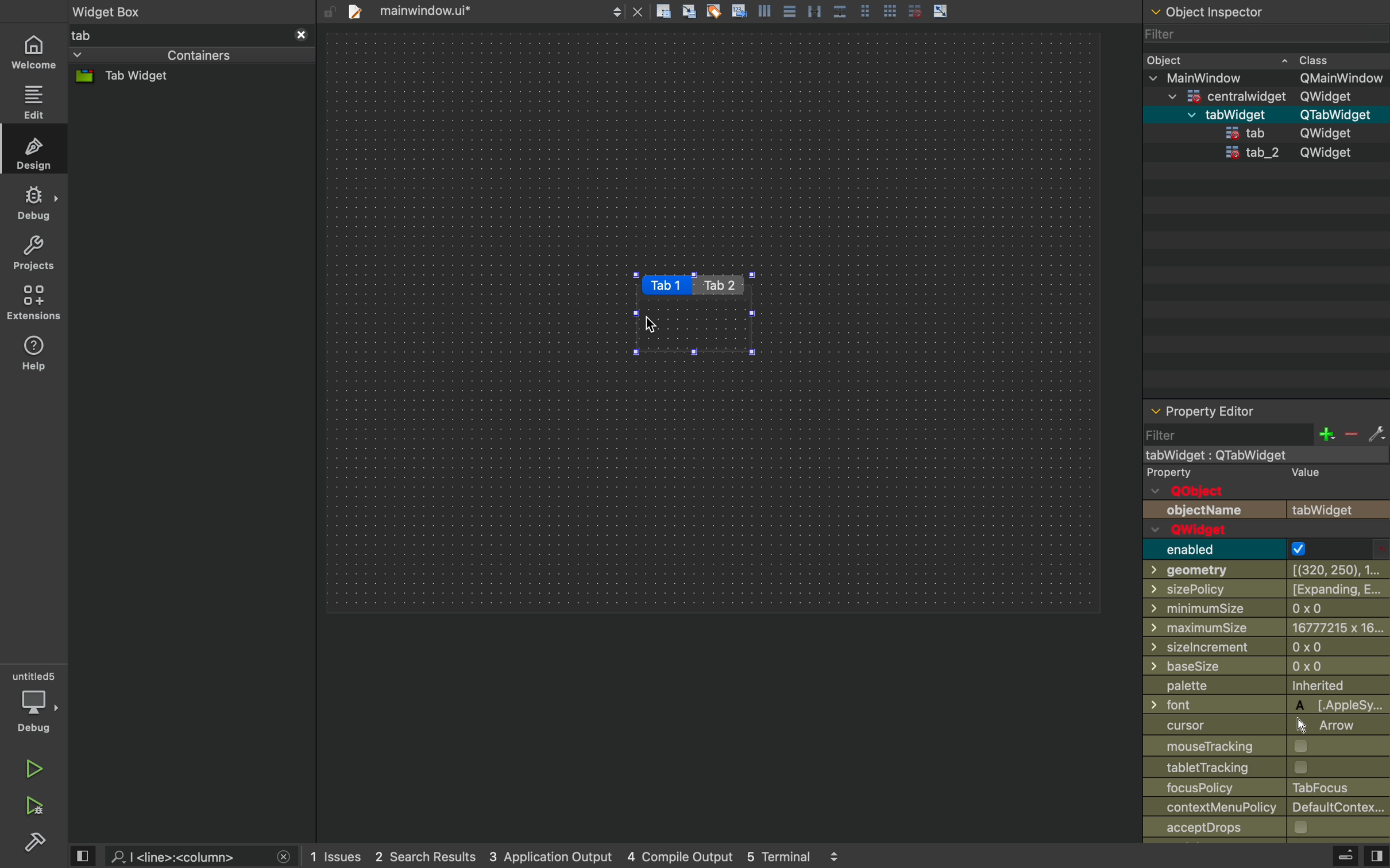 The height and width of the screenshot is (868, 1390). I want to click on run and debug, so click(33, 807).